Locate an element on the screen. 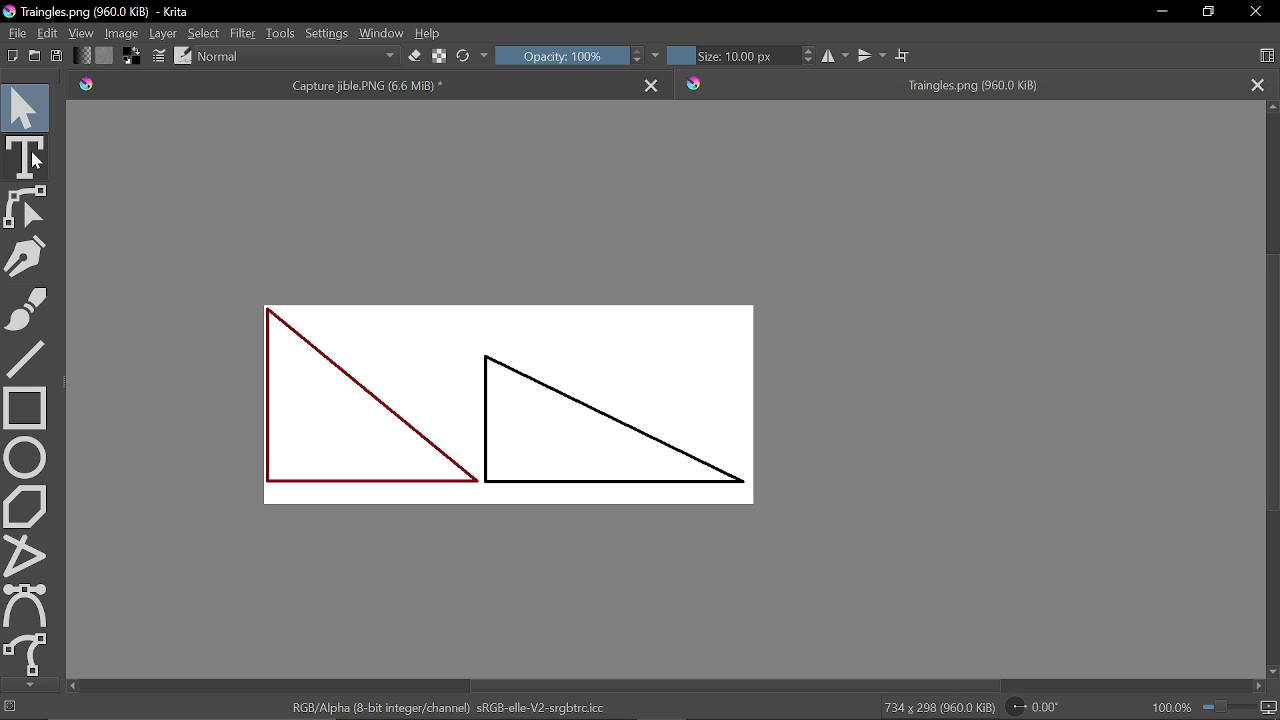 Image resolution: width=1280 pixels, height=720 pixels. Rectangle tool is located at coordinates (25, 406).